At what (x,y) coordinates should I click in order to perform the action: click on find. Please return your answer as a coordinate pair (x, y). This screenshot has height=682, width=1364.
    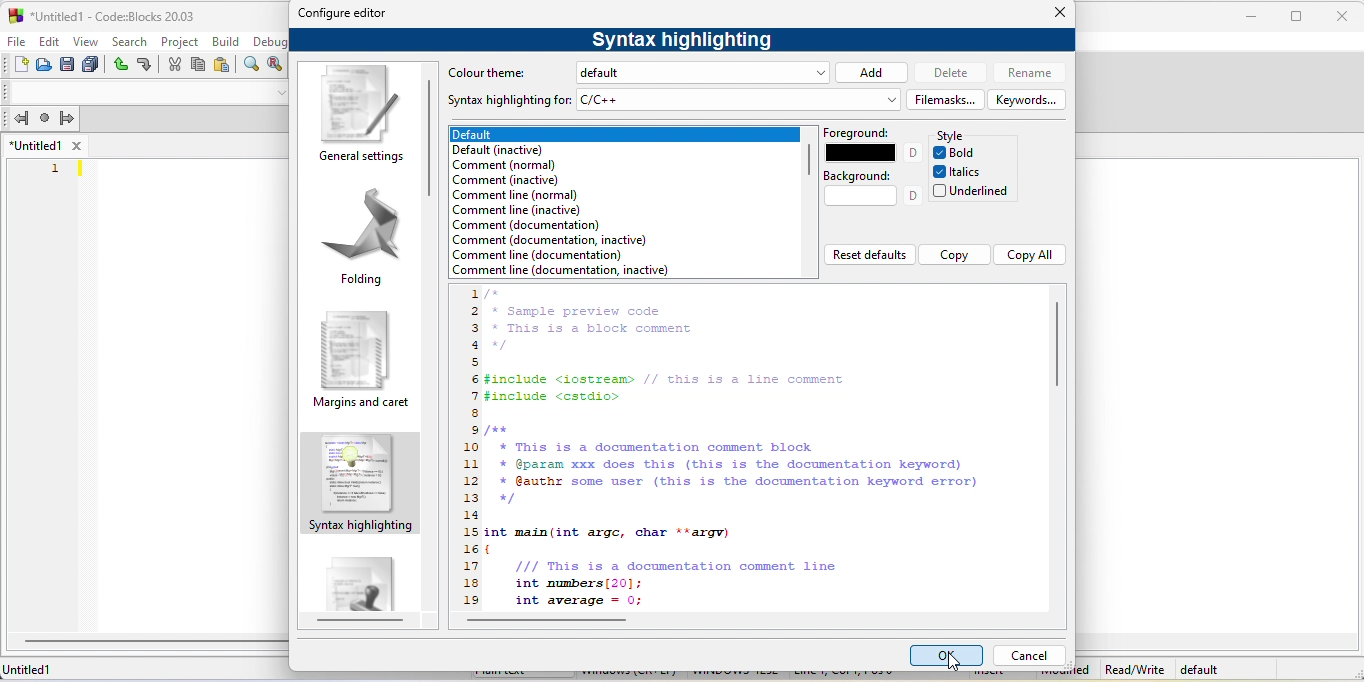
    Looking at the image, I should click on (252, 63).